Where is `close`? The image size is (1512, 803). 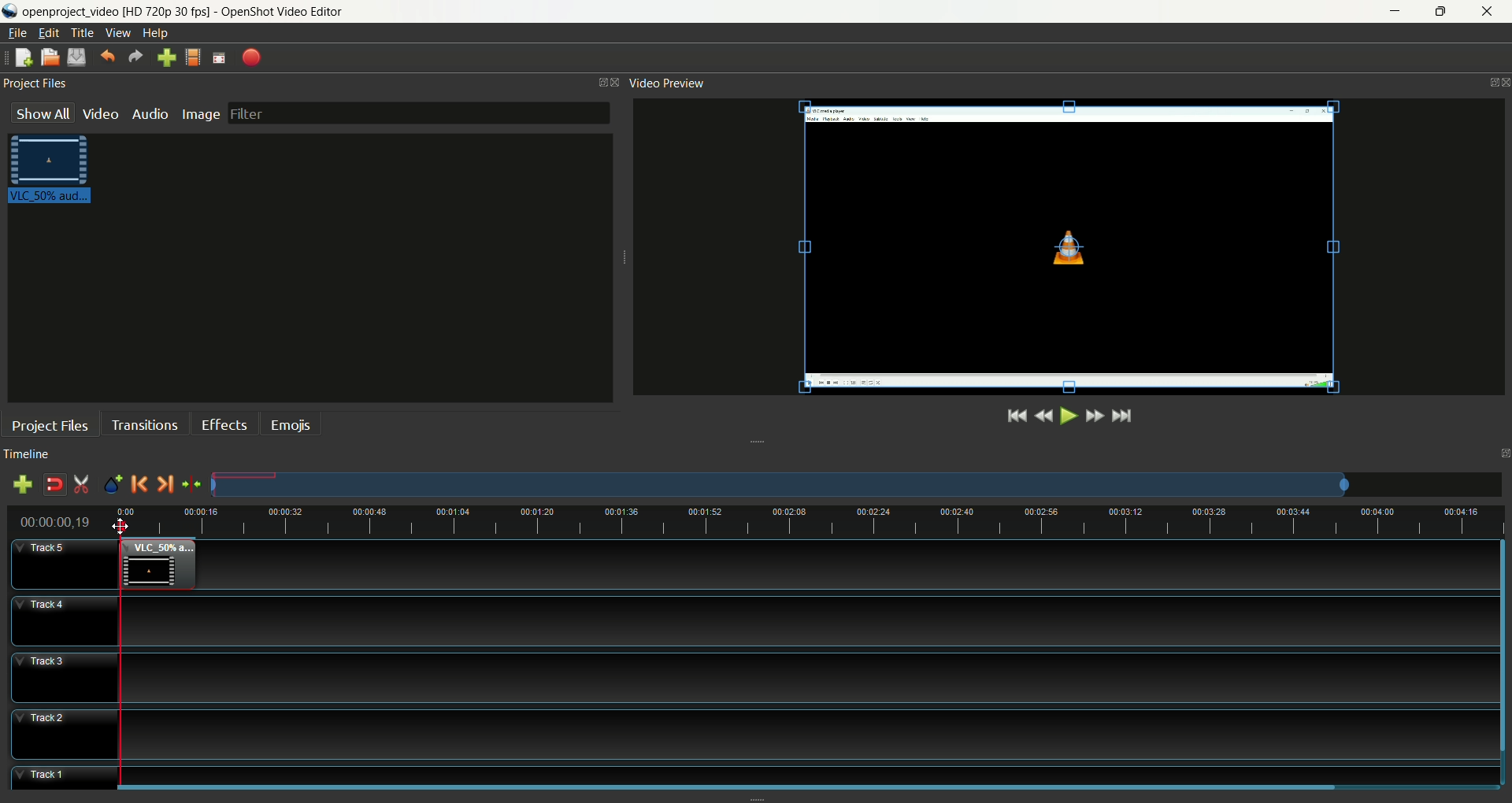
close is located at coordinates (1491, 13).